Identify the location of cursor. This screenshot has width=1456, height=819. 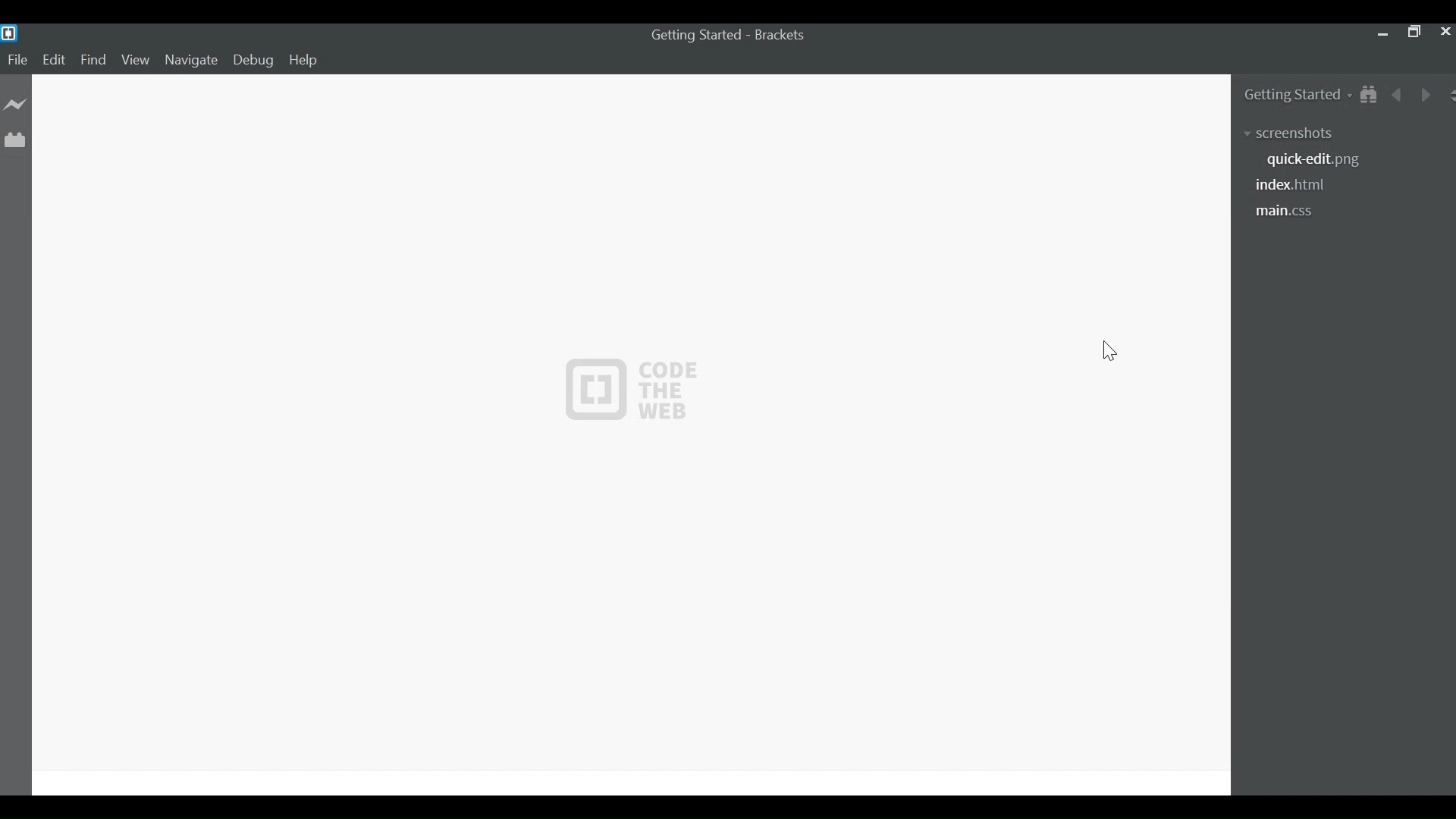
(1109, 353).